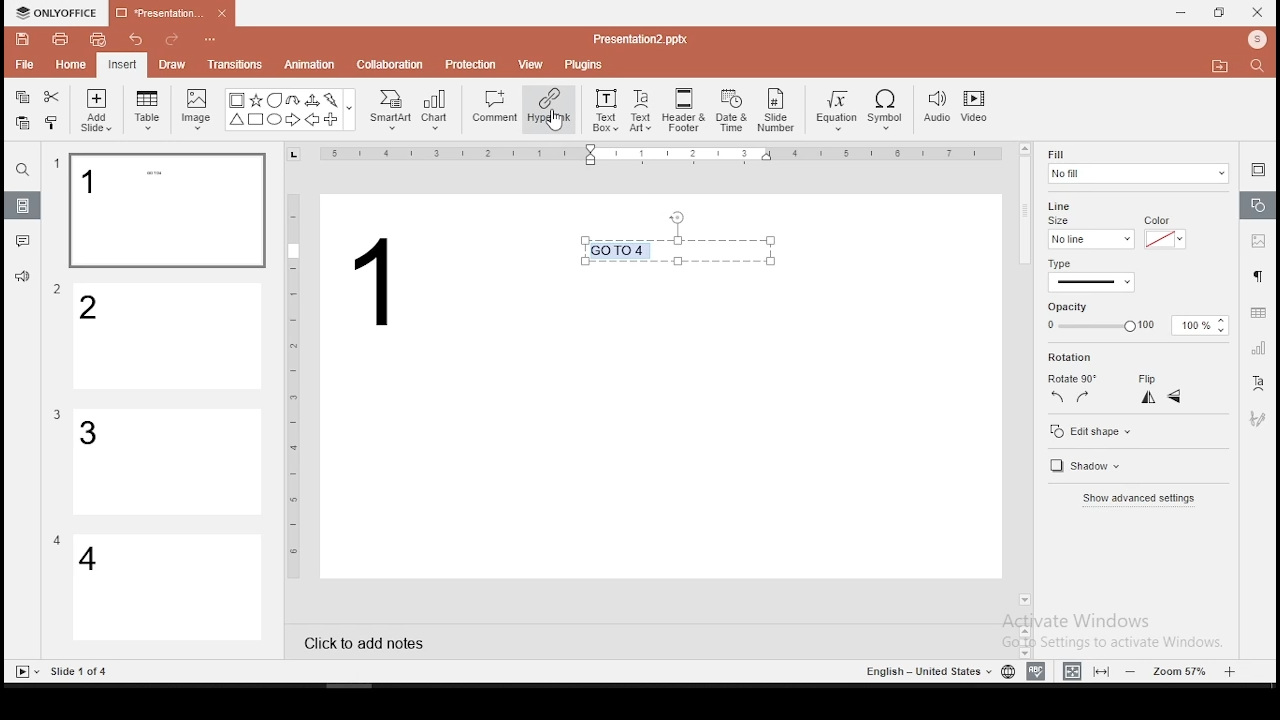 The width and height of the screenshot is (1280, 720). I want to click on Cursor, so click(556, 122).